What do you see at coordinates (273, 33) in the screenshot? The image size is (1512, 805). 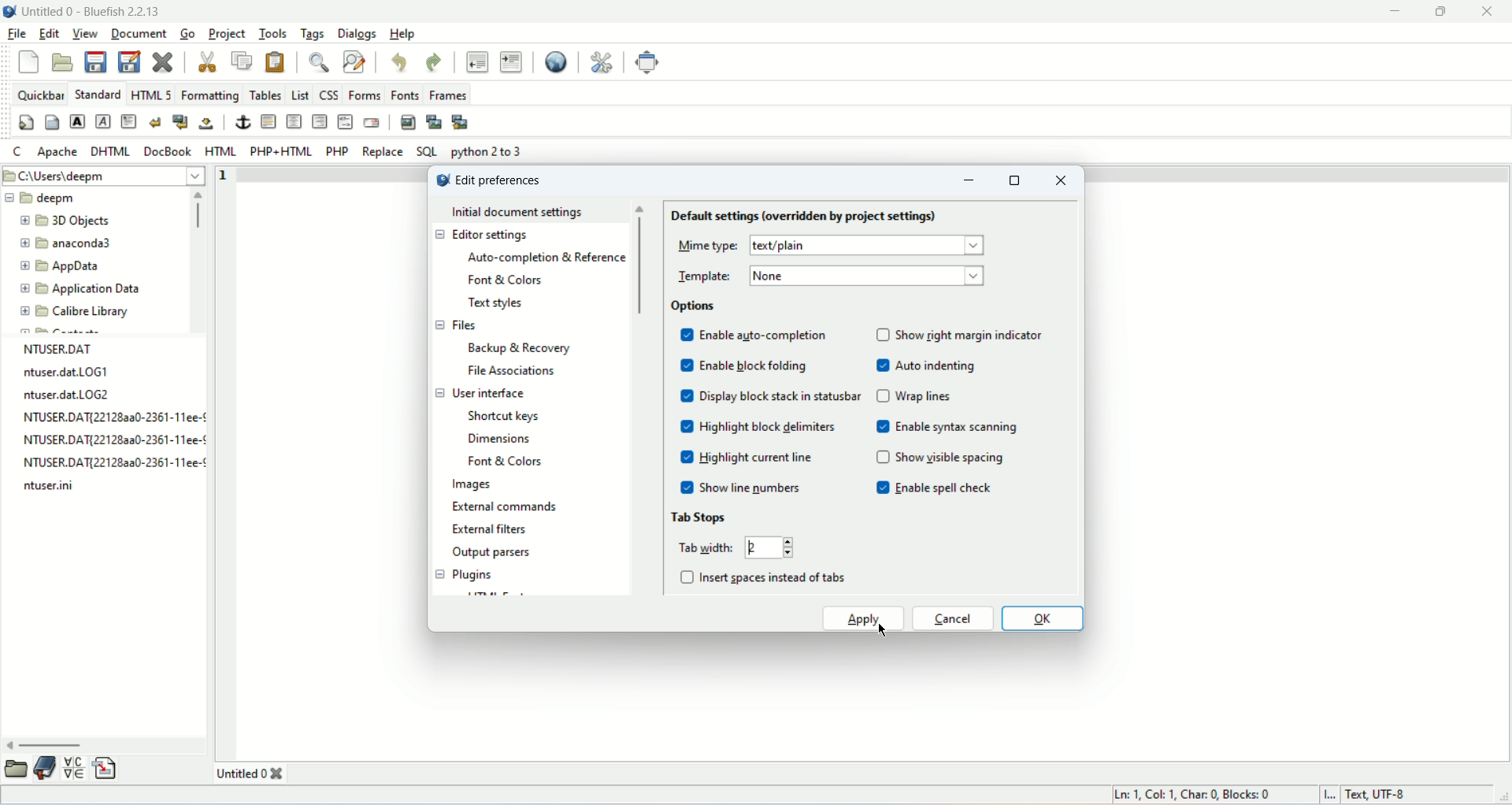 I see `tools` at bounding box center [273, 33].